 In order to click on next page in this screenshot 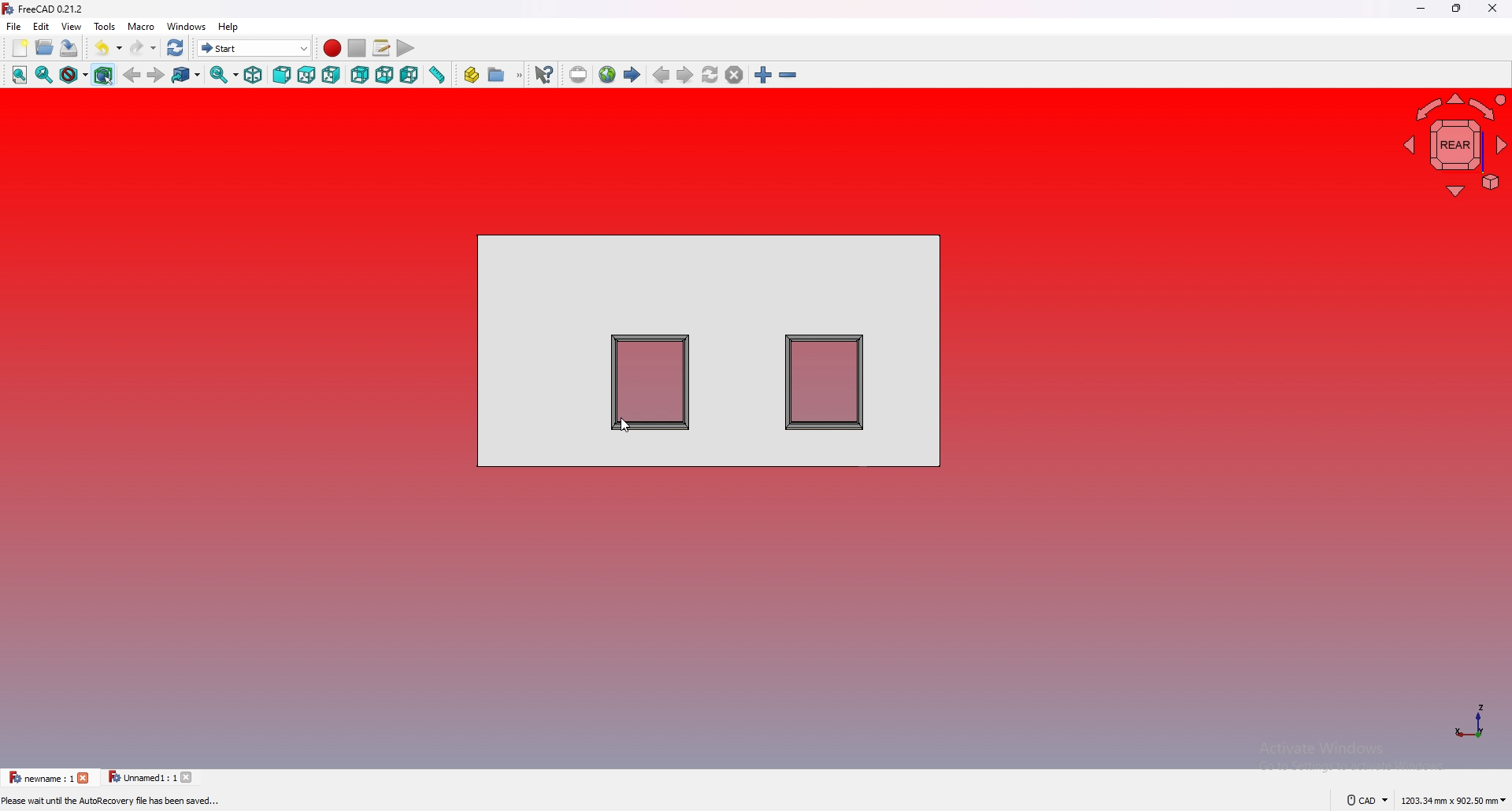, I will do `click(685, 75)`.